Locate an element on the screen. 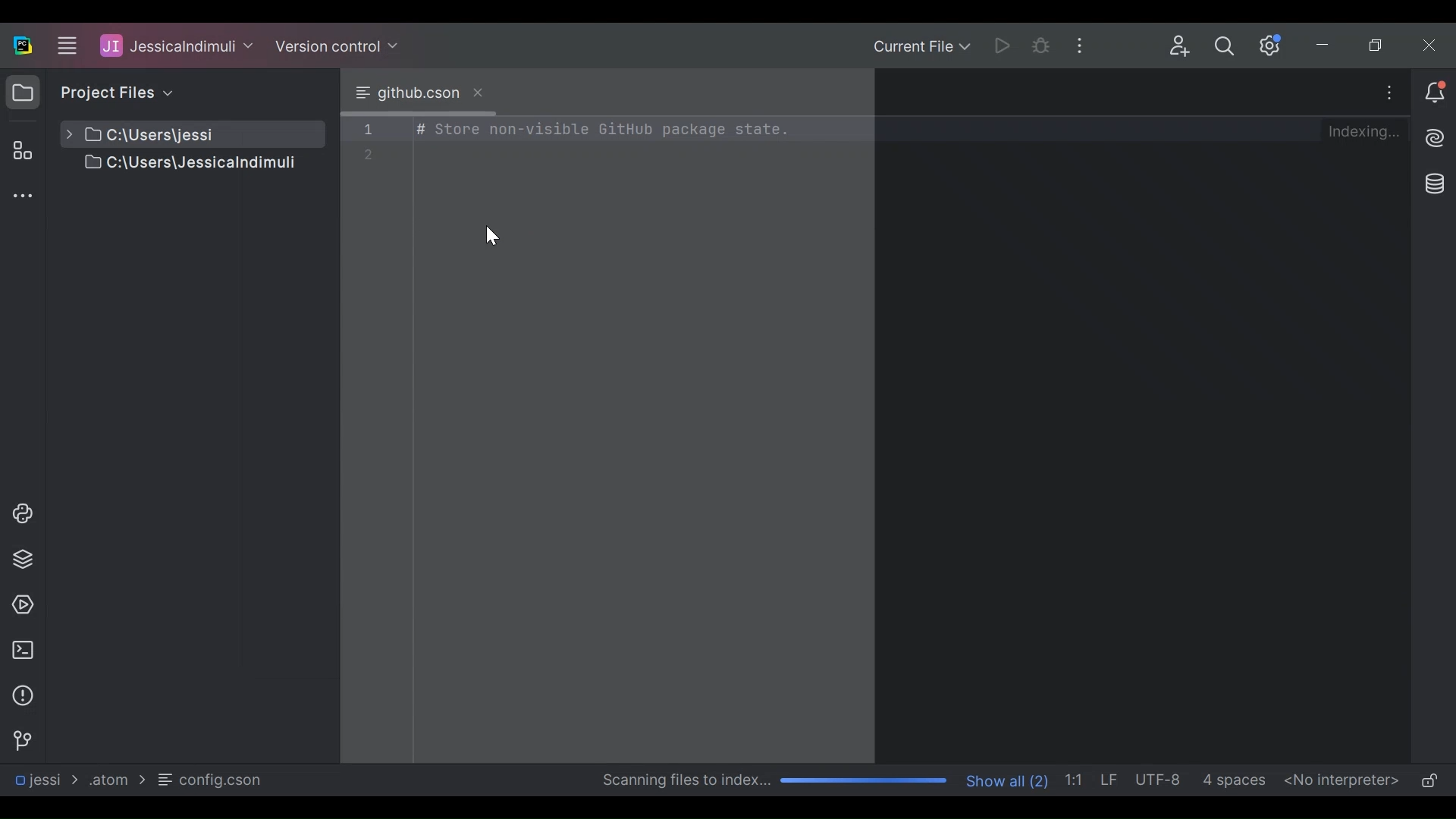 This screenshot has width=1456, height=819. Minimize is located at coordinates (1329, 45).